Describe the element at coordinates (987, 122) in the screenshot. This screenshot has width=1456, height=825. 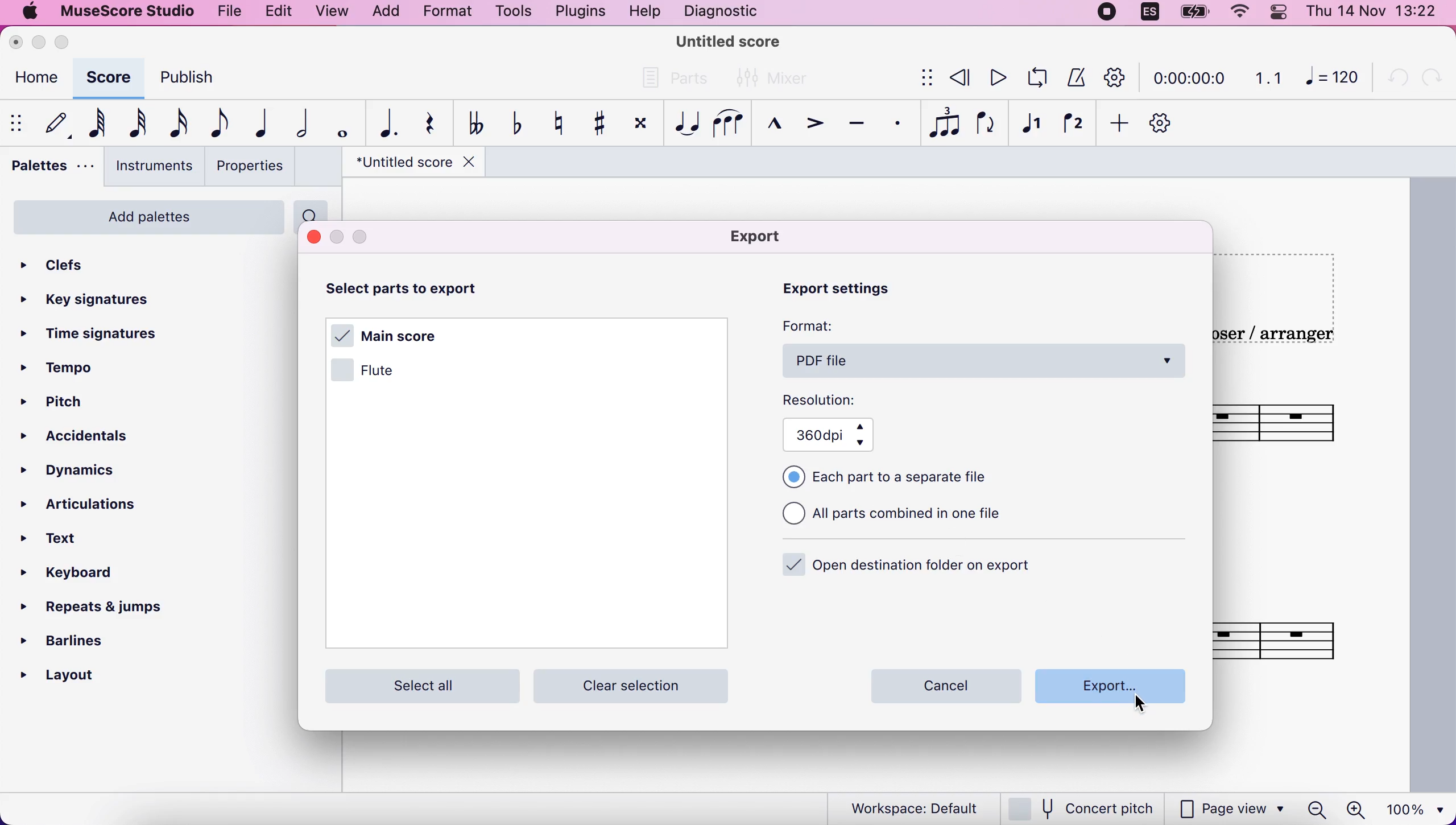
I see `flip direction` at that location.